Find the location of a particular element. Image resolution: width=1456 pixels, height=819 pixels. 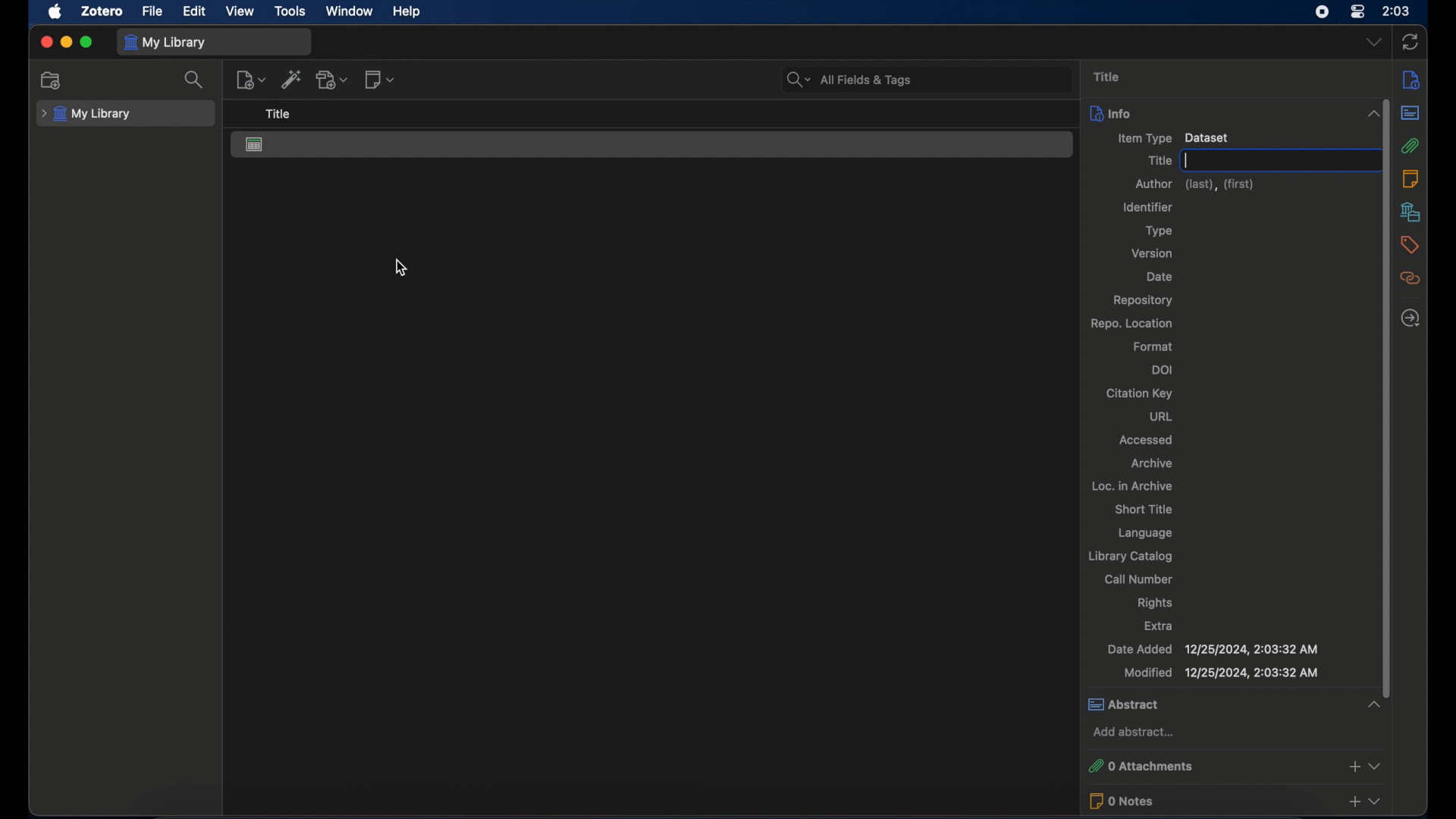

title is located at coordinates (1107, 77).